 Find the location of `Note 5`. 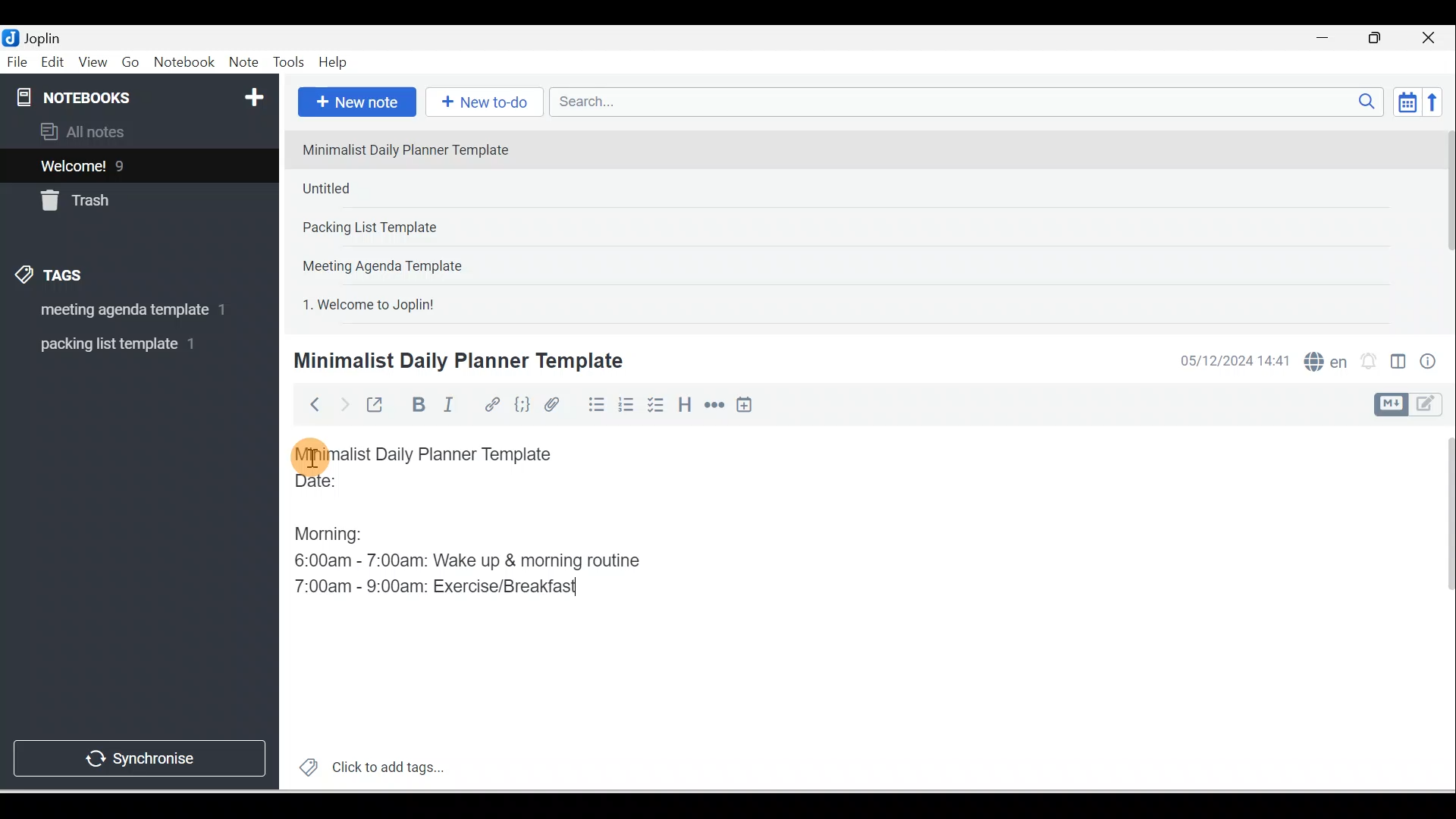

Note 5 is located at coordinates (424, 303).